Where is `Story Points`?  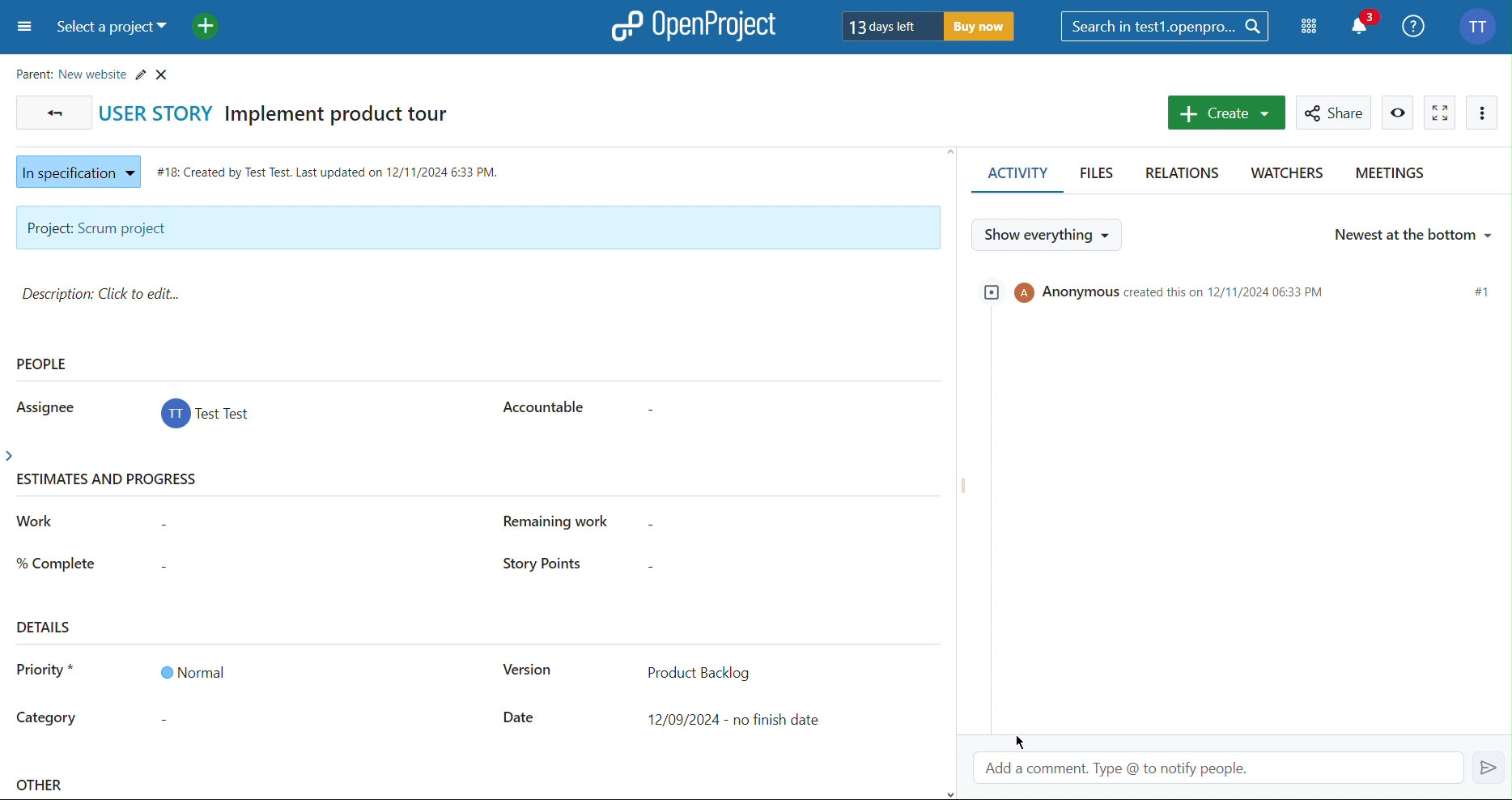
Story Points is located at coordinates (538, 565).